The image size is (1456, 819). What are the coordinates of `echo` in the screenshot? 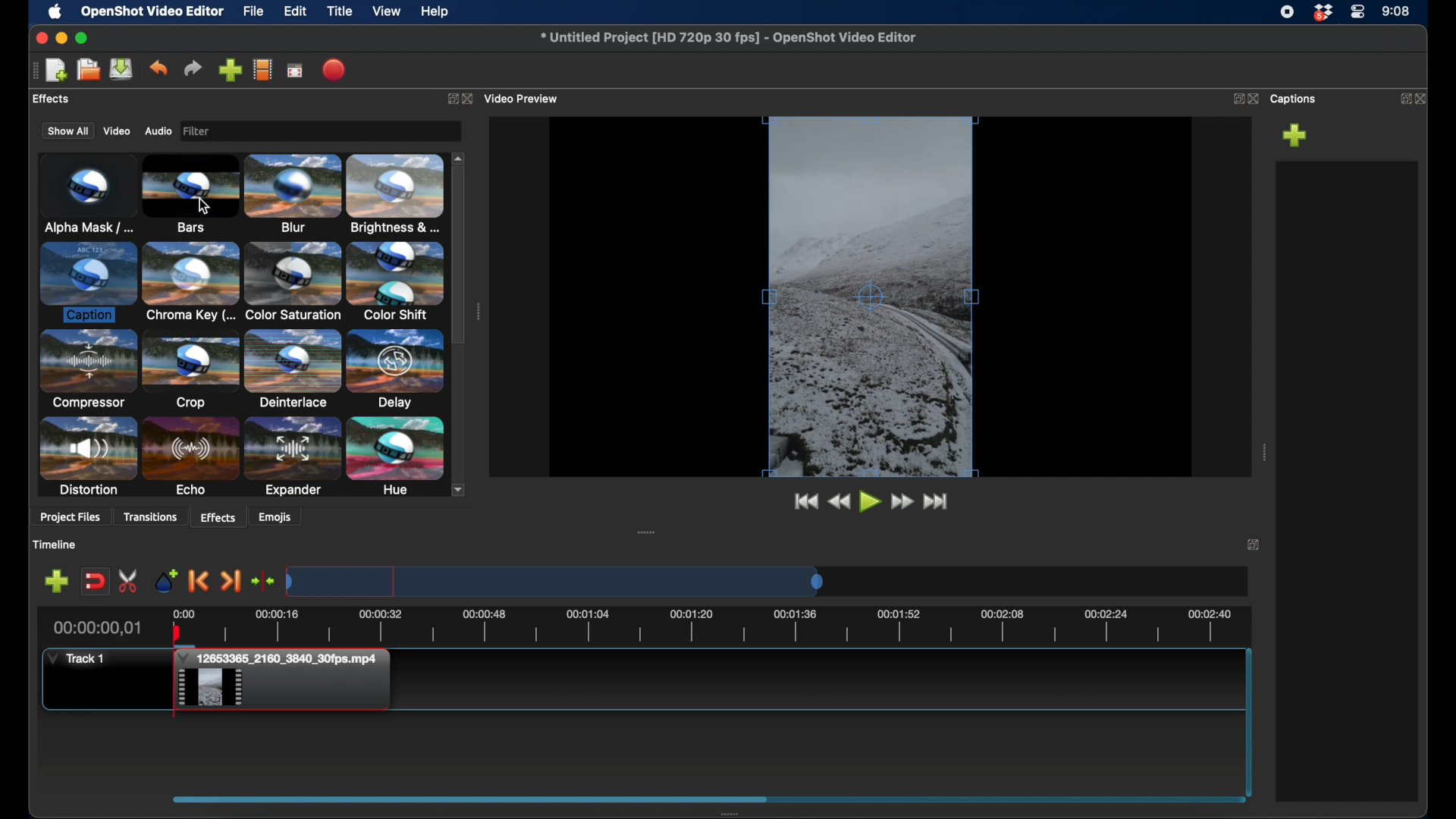 It's located at (191, 457).